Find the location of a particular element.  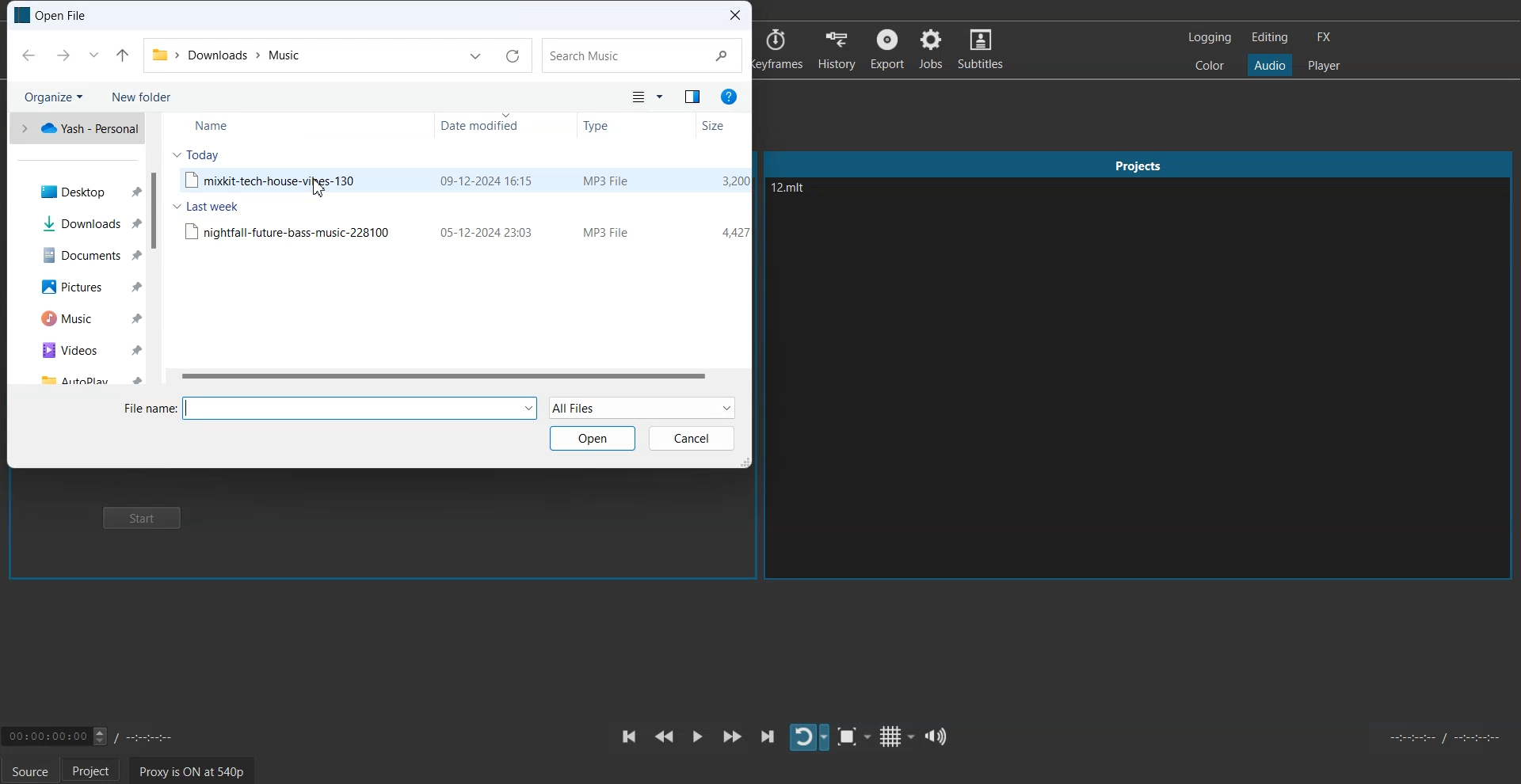

Enter File Name is located at coordinates (330, 408).